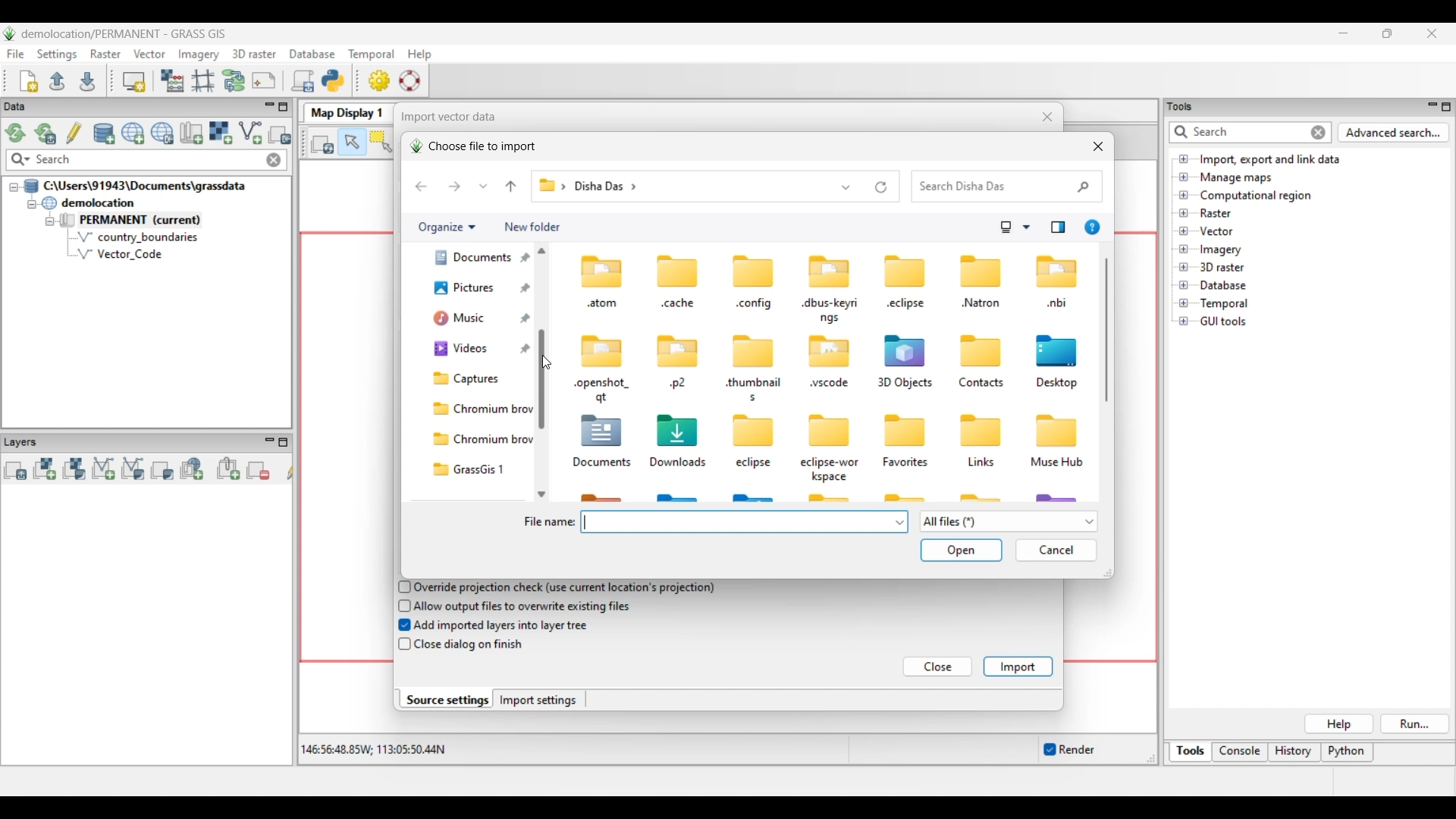 The image size is (1456, 819). Describe the element at coordinates (45, 133) in the screenshot. I see `Reload current GRASS mapset only` at that location.